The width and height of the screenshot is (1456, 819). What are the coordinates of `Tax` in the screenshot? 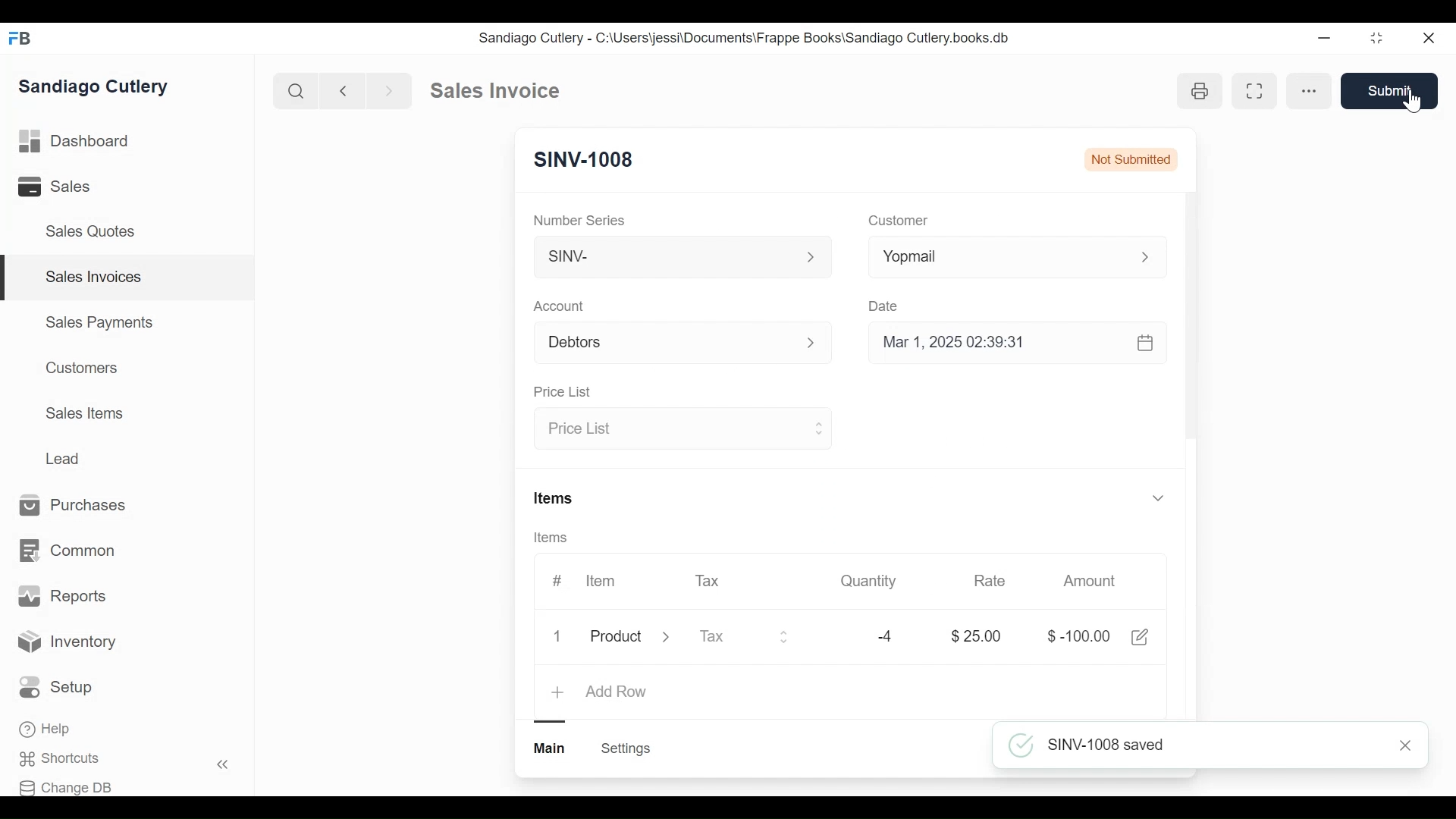 It's located at (745, 637).